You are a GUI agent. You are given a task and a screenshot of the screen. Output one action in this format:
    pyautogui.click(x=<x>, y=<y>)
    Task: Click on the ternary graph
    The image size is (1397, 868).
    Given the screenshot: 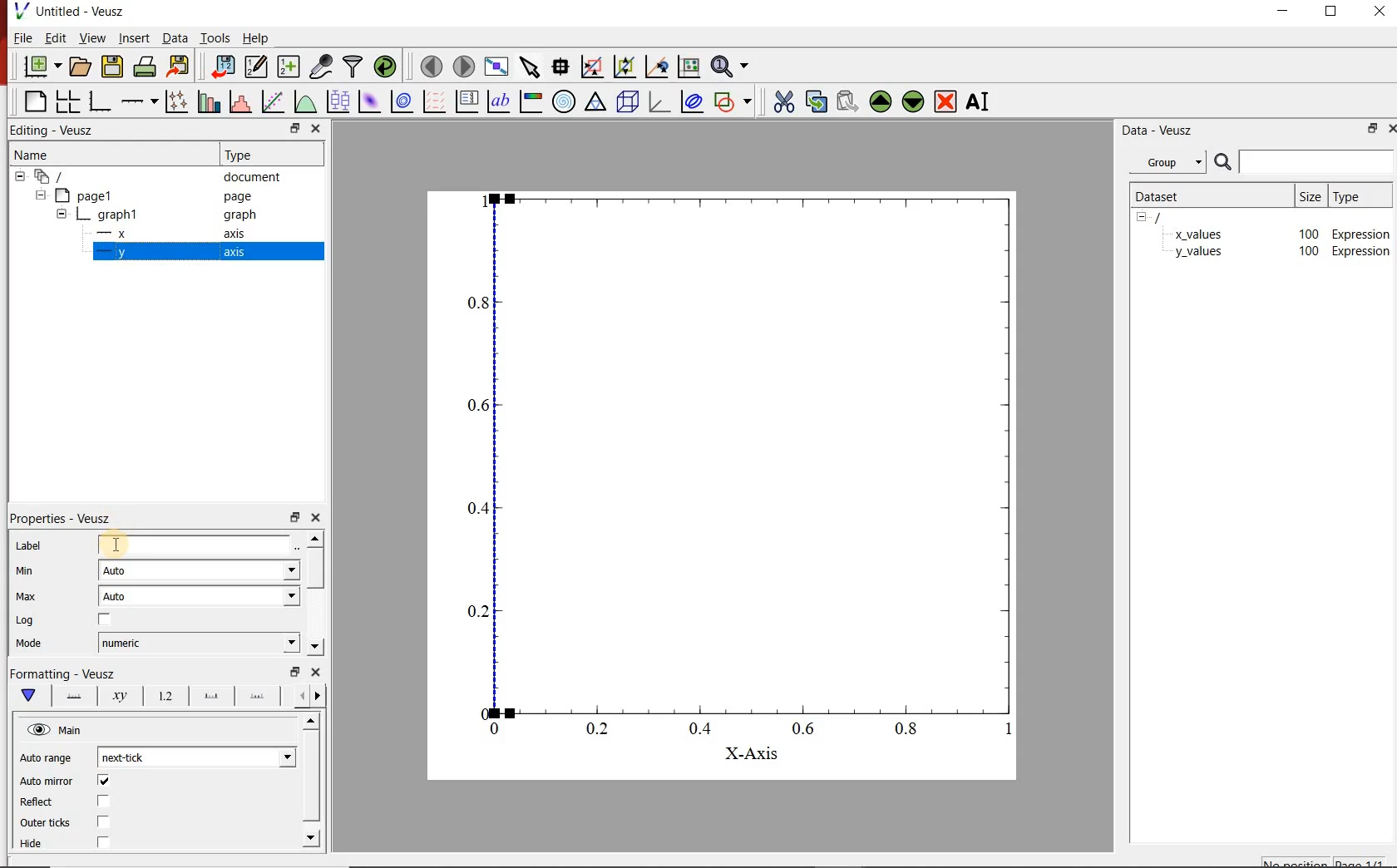 What is the action you would take?
    pyautogui.click(x=597, y=104)
    